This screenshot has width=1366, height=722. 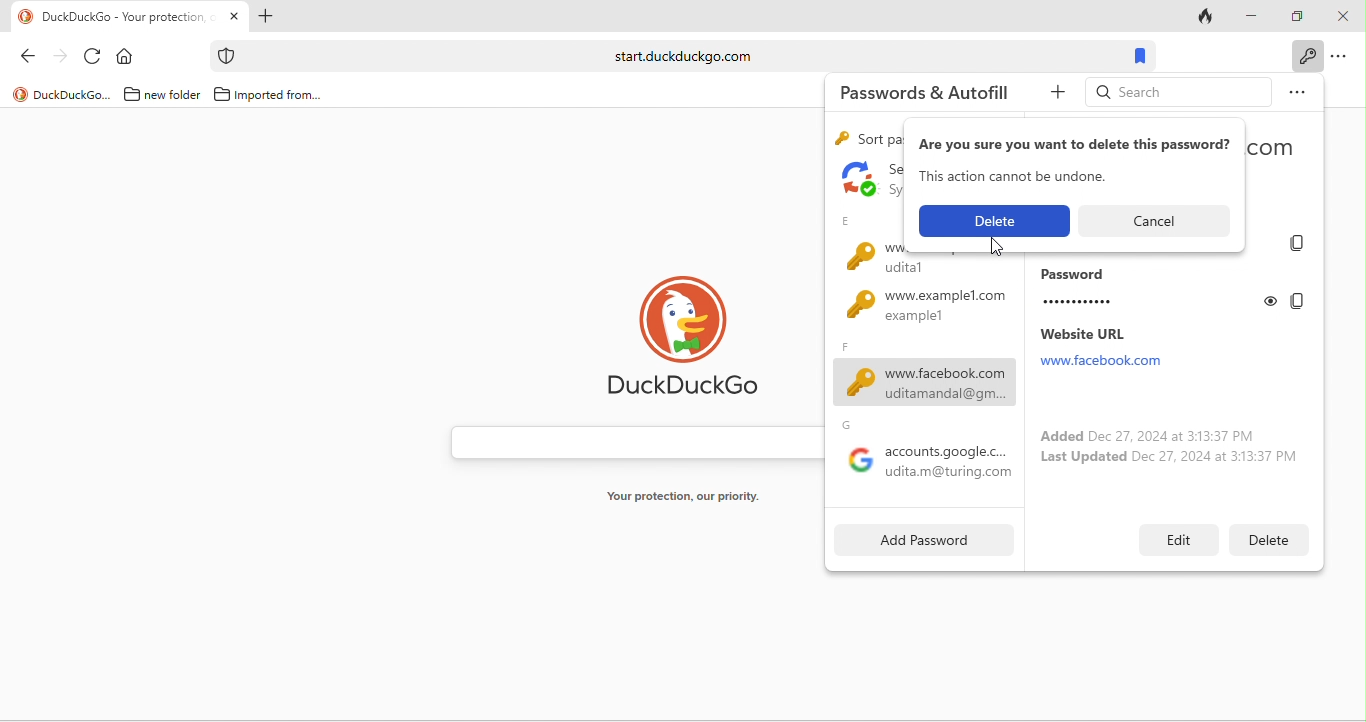 I want to click on reload, so click(x=94, y=58).